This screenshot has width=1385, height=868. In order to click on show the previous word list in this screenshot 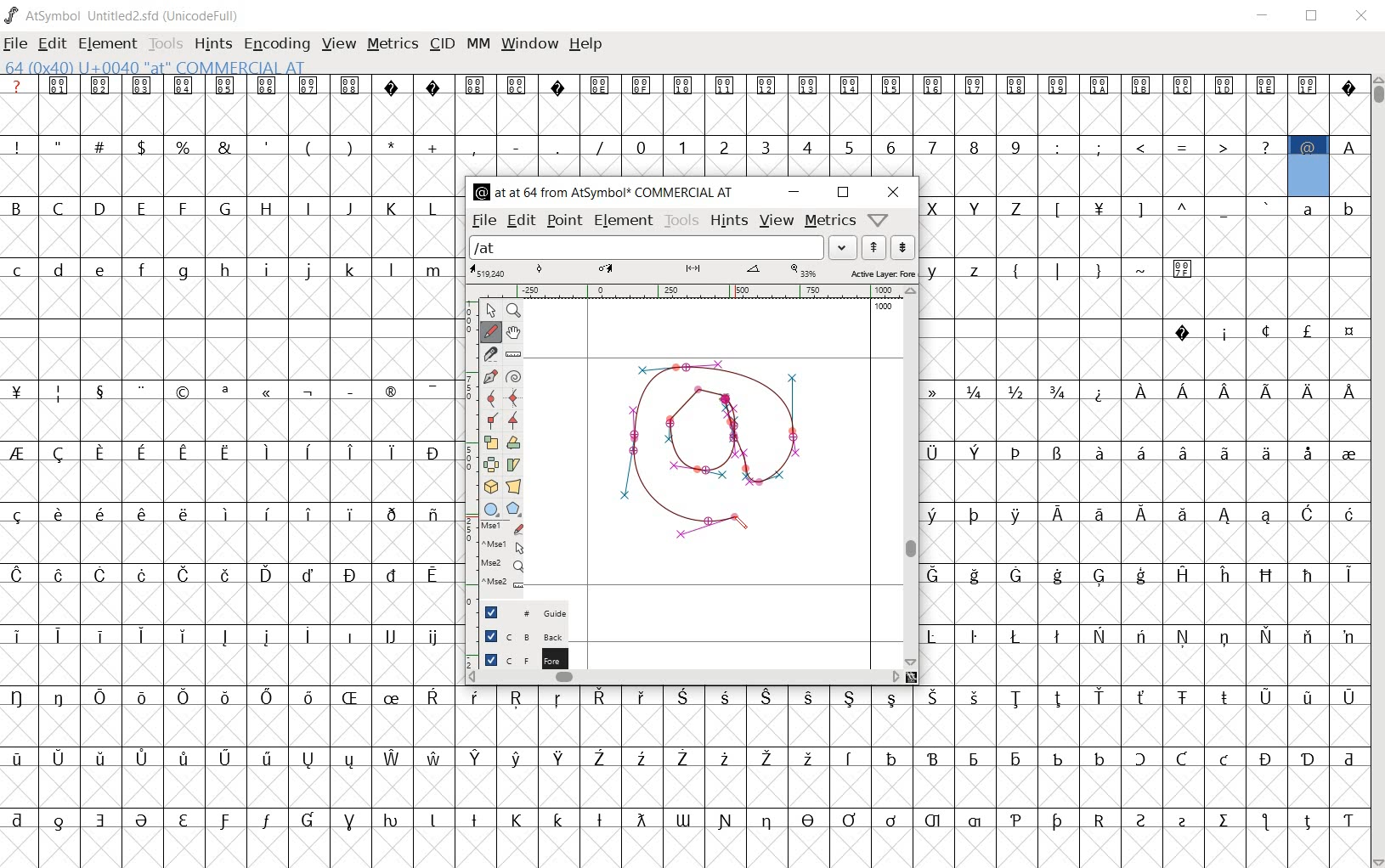, I will do `click(876, 245)`.